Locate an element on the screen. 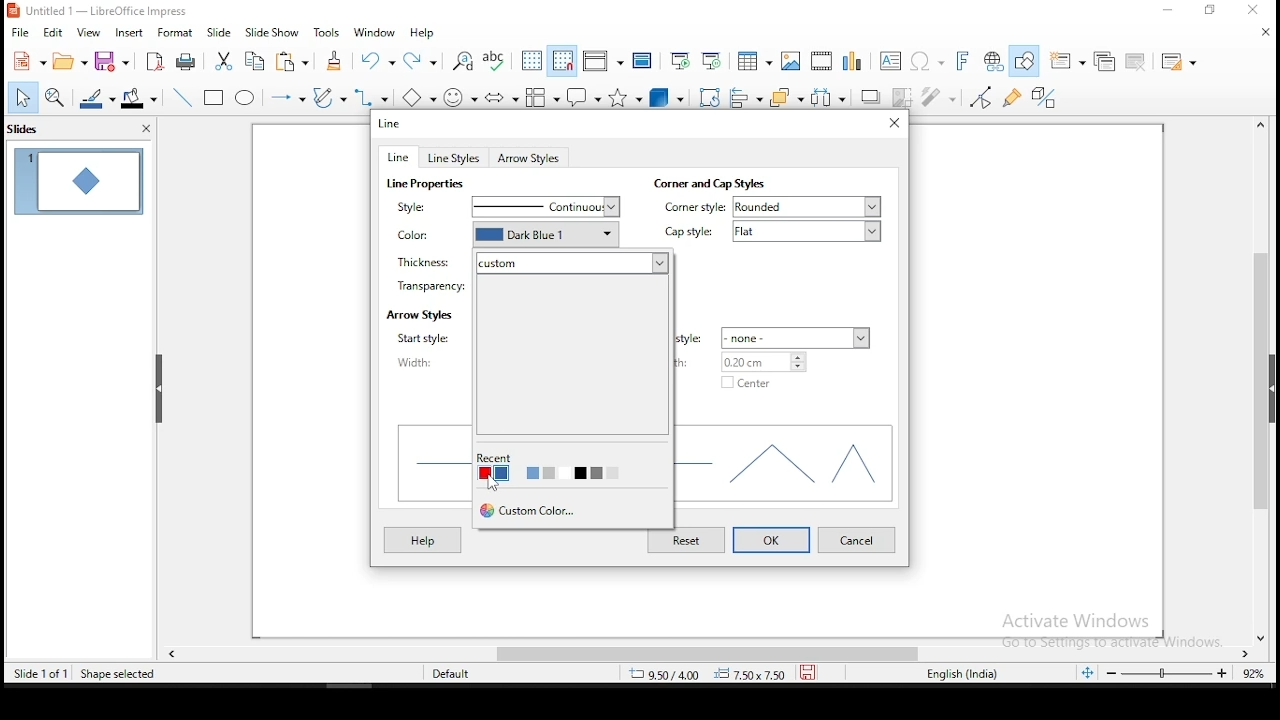 This screenshot has width=1280, height=720. slide layout is located at coordinates (1182, 62).